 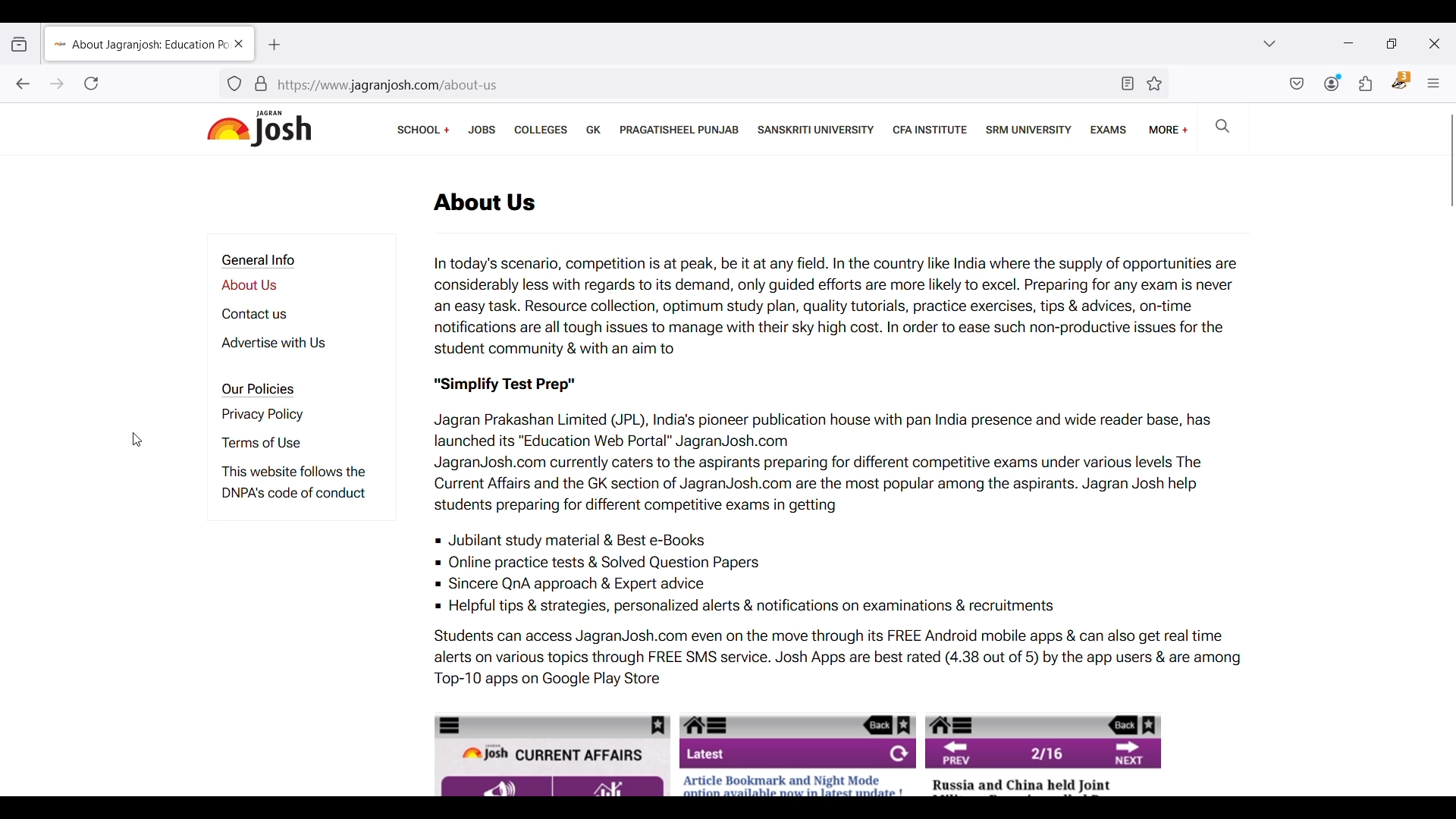 What do you see at coordinates (1434, 43) in the screenshot?
I see `Close interface` at bounding box center [1434, 43].